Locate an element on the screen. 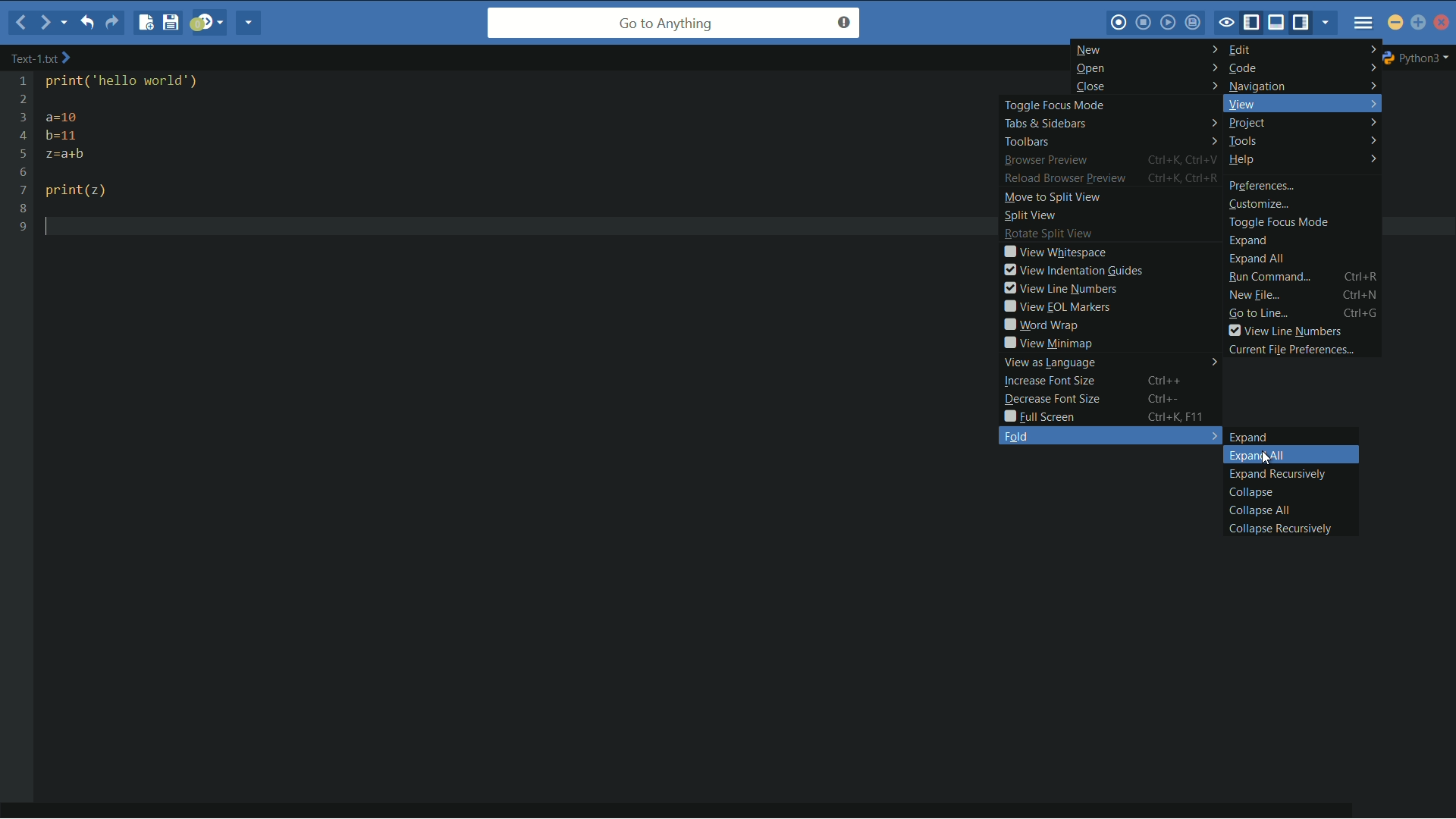  reload browser preview is located at coordinates (1064, 180).